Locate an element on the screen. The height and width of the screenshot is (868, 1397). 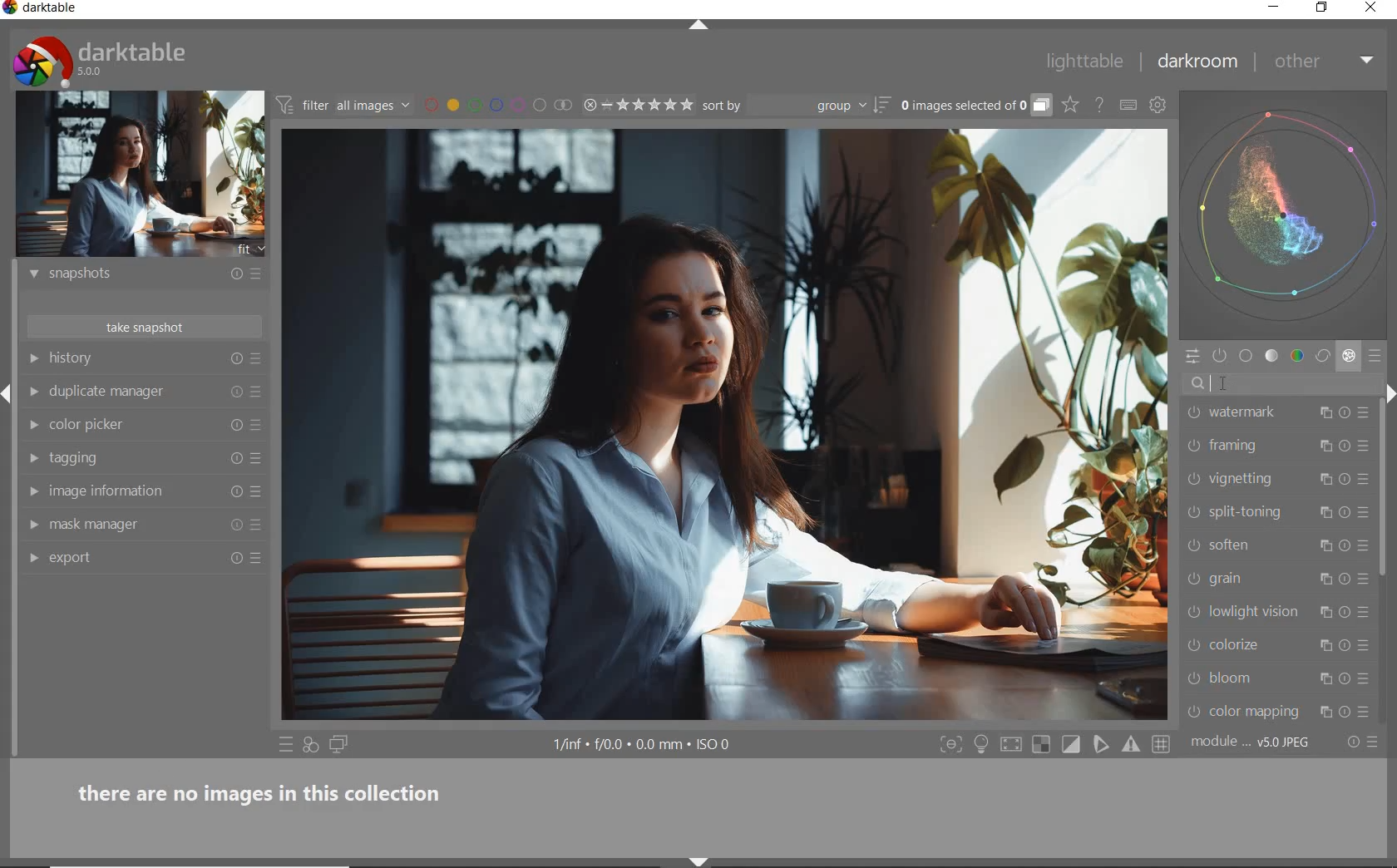
image preview is located at coordinates (141, 175).